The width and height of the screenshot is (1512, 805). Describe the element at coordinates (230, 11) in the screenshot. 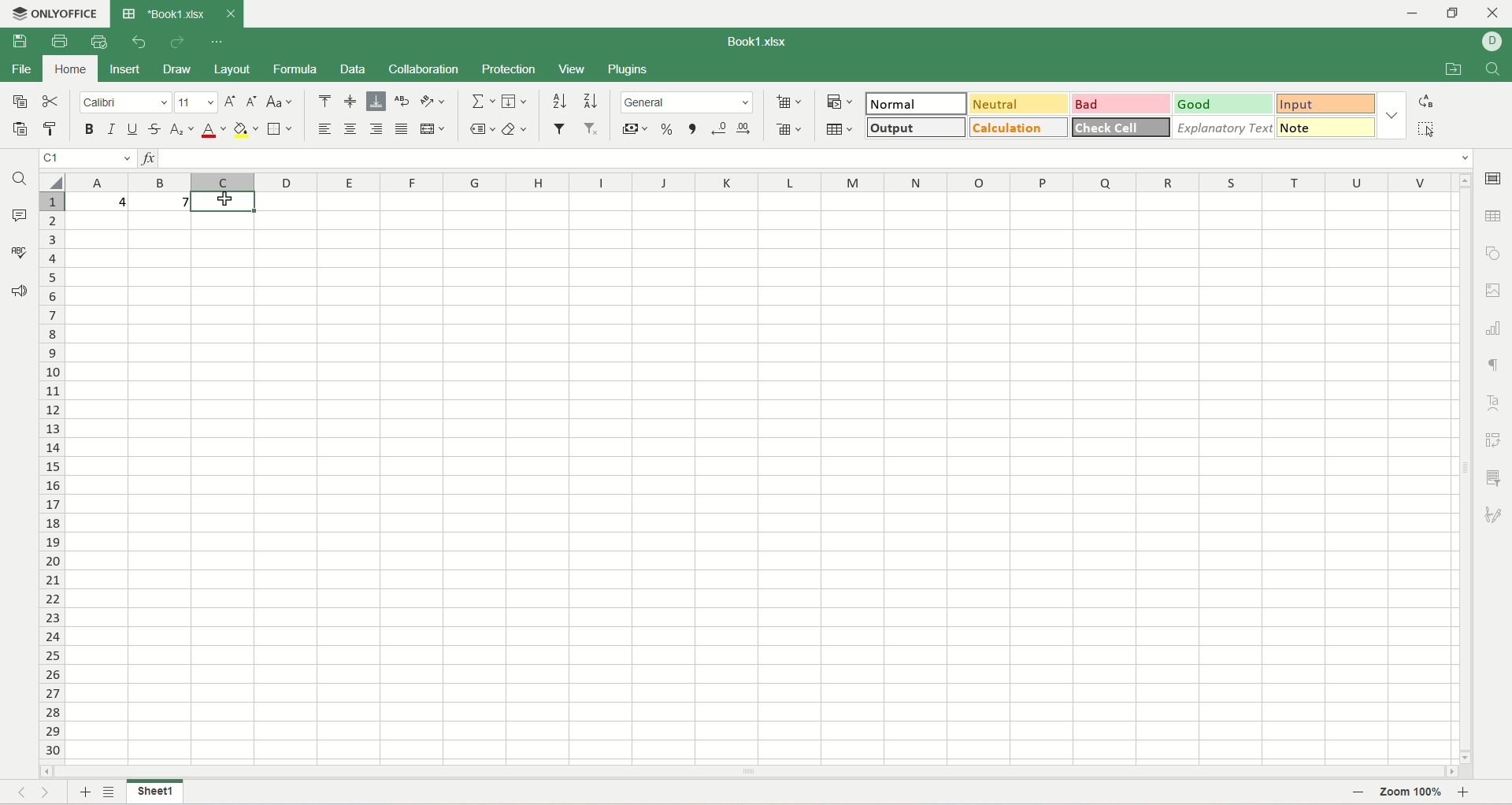

I see `close` at that location.